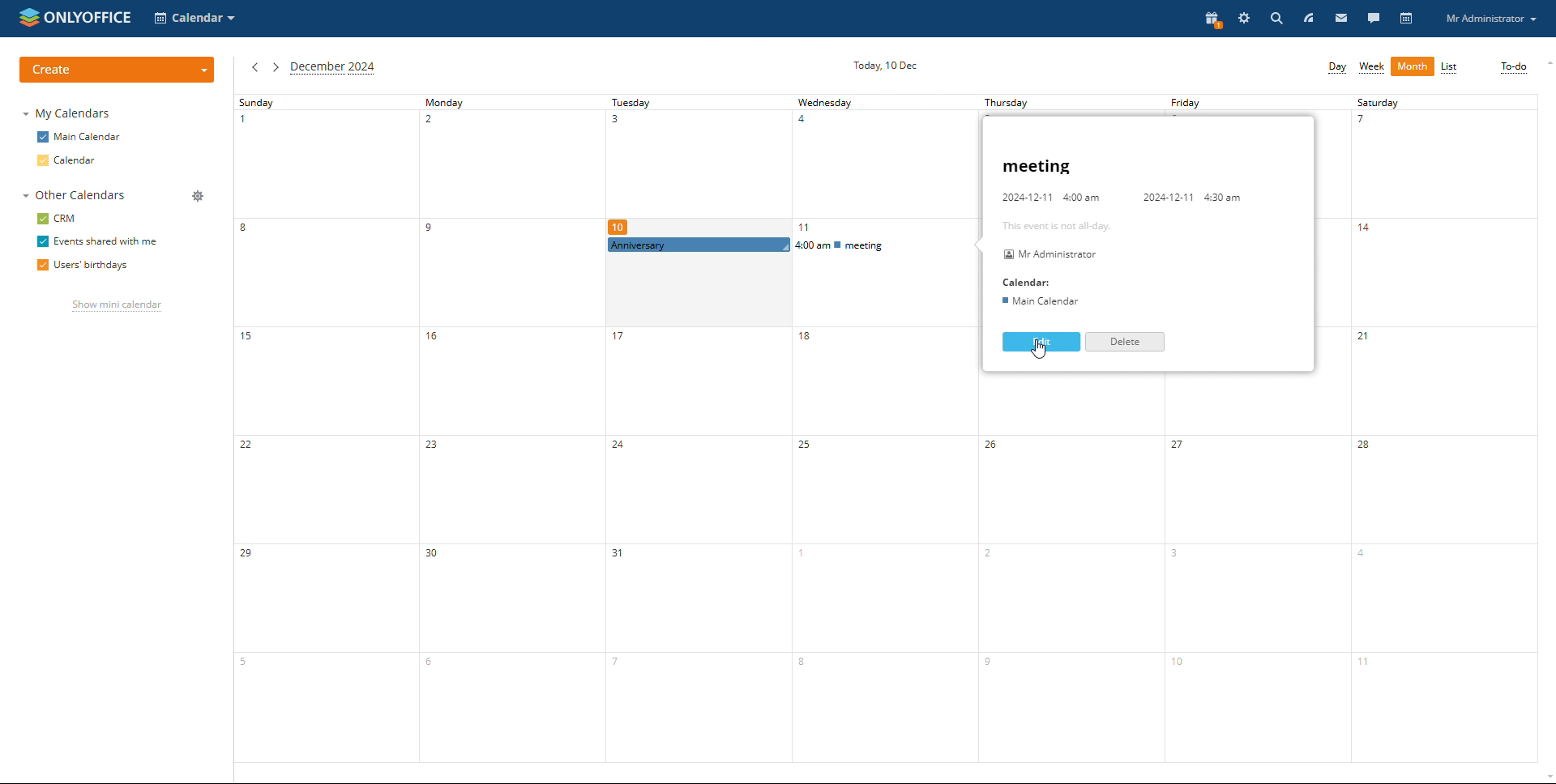 This screenshot has width=1556, height=784. Describe the element at coordinates (1123, 342) in the screenshot. I see `delete` at that location.